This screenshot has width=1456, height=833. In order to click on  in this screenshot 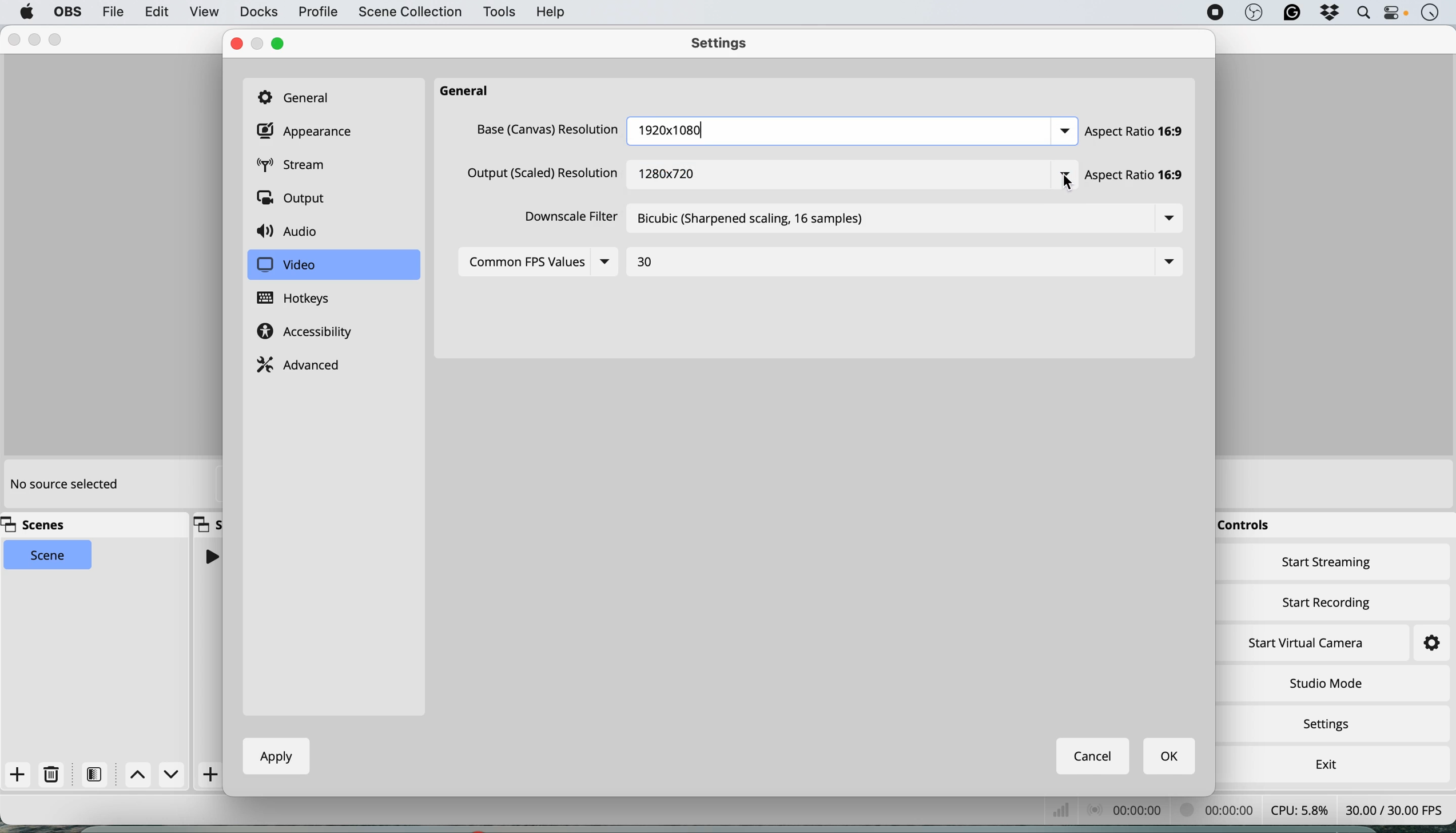, I will do `click(545, 129)`.